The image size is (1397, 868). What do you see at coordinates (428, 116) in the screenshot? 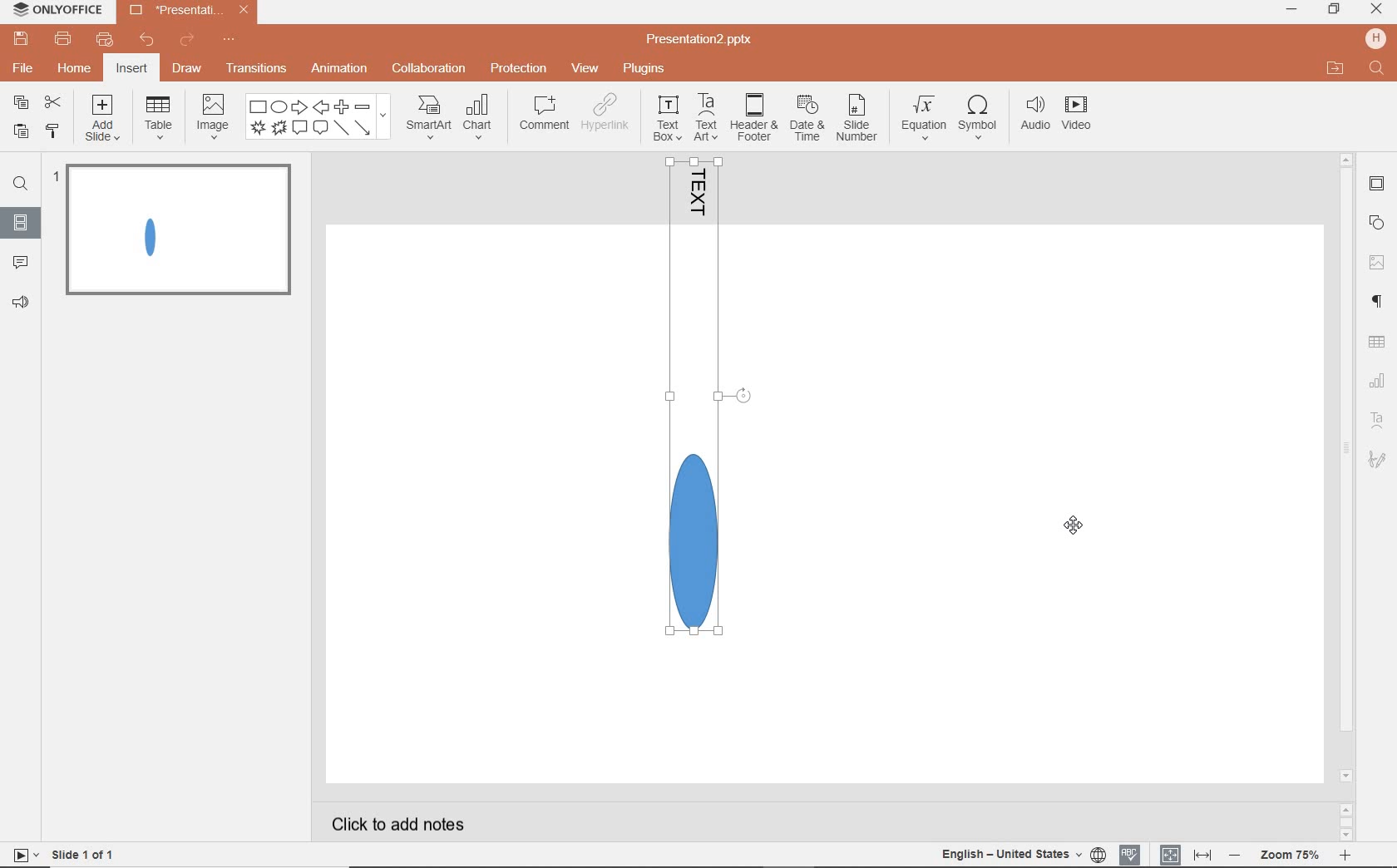
I see `smartart` at bounding box center [428, 116].